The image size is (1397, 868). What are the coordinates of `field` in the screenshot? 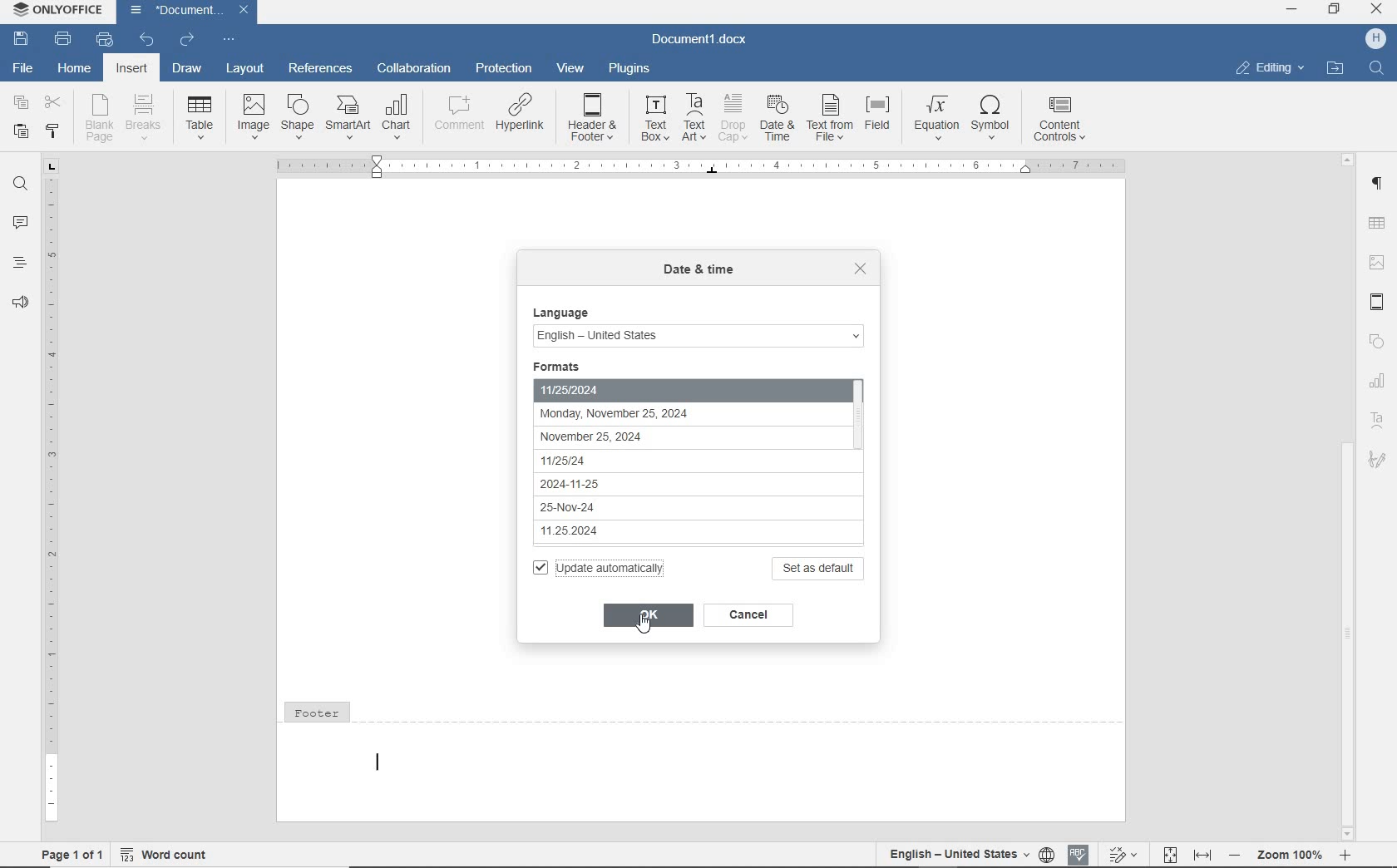 It's located at (881, 118).